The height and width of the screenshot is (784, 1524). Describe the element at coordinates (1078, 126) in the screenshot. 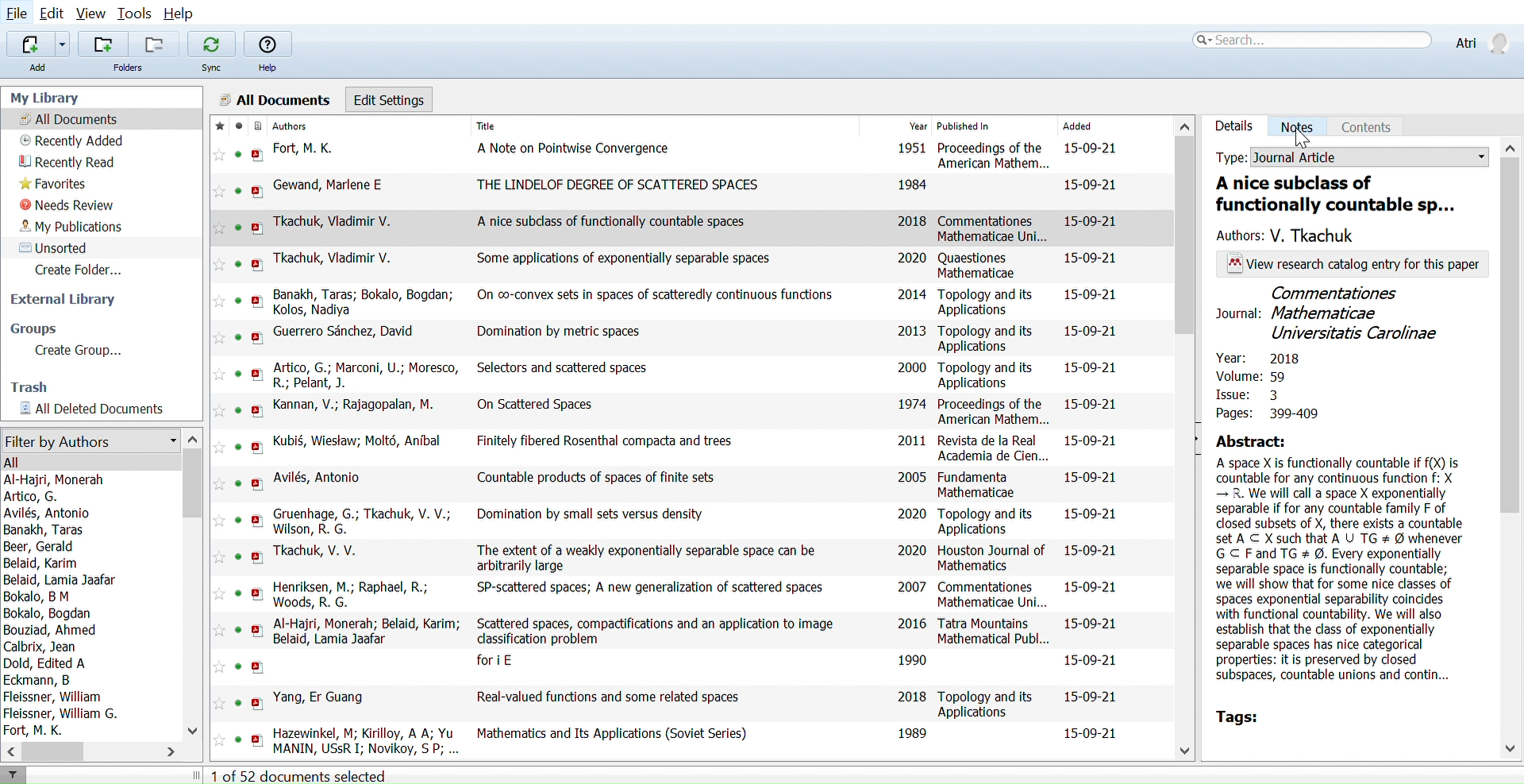

I see `Added` at that location.